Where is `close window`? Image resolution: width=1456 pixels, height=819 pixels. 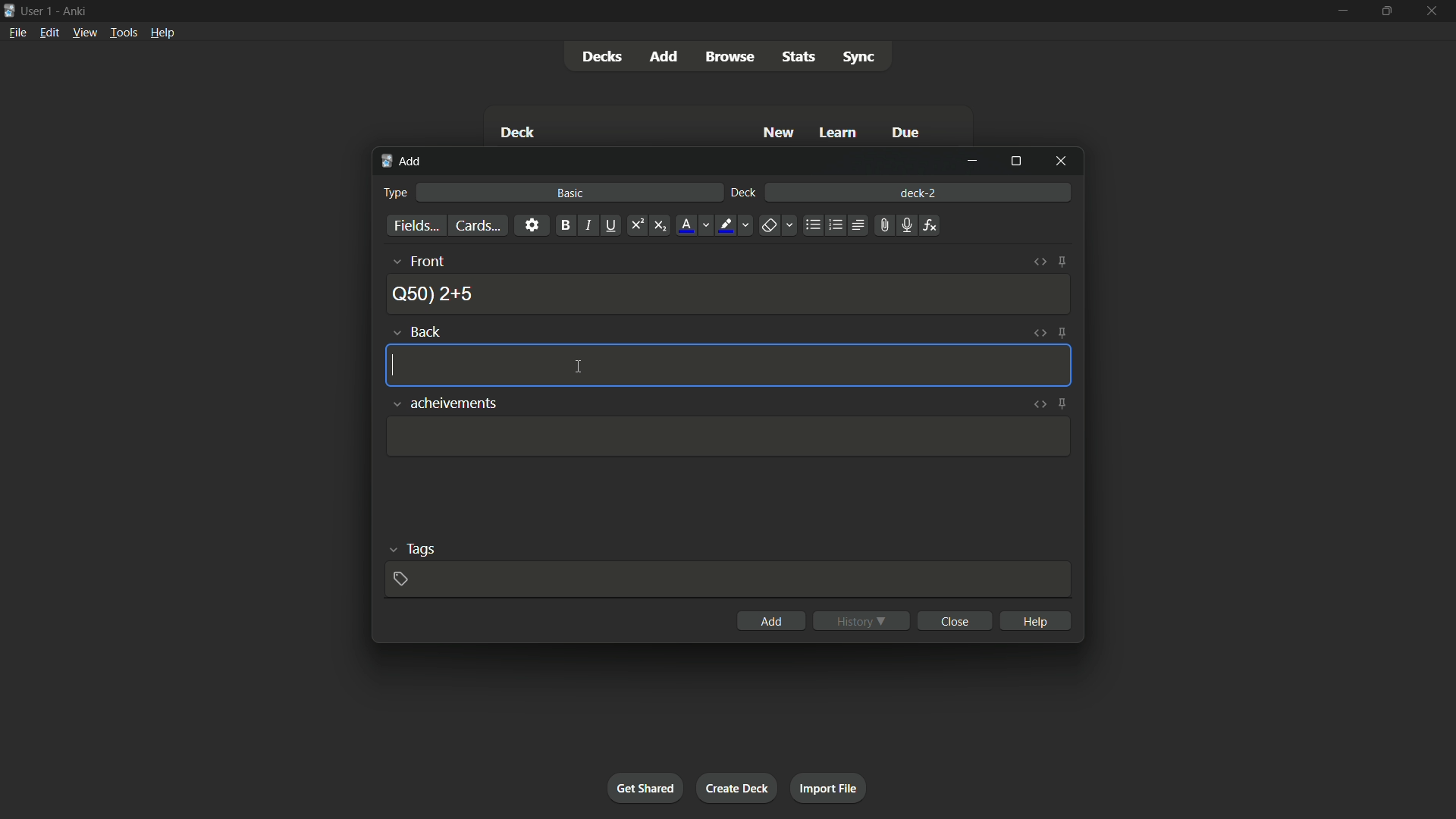
close window is located at coordinates (1059, 162).